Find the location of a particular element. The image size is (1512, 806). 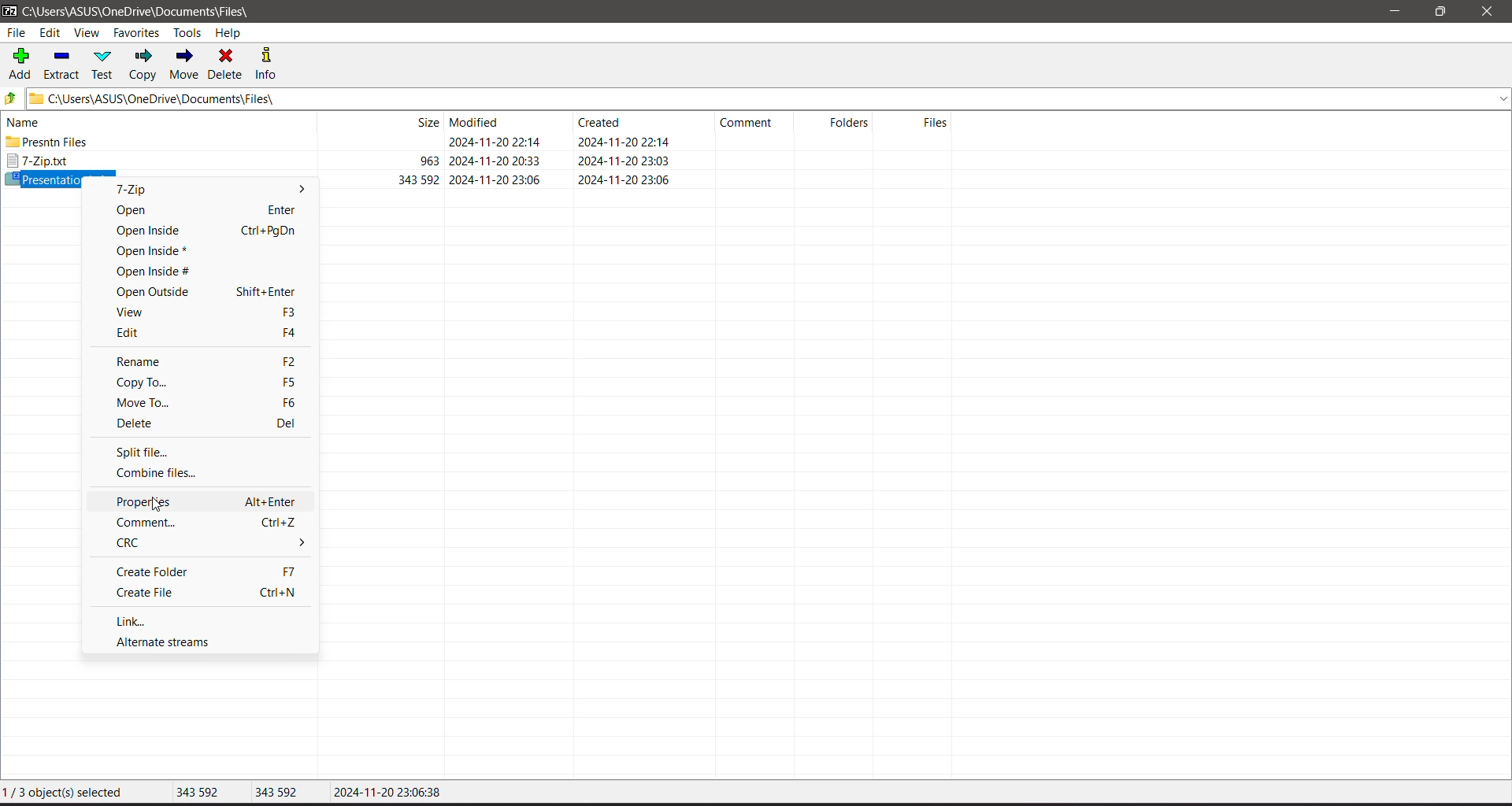

343592 is located at coordinates (277, 791).